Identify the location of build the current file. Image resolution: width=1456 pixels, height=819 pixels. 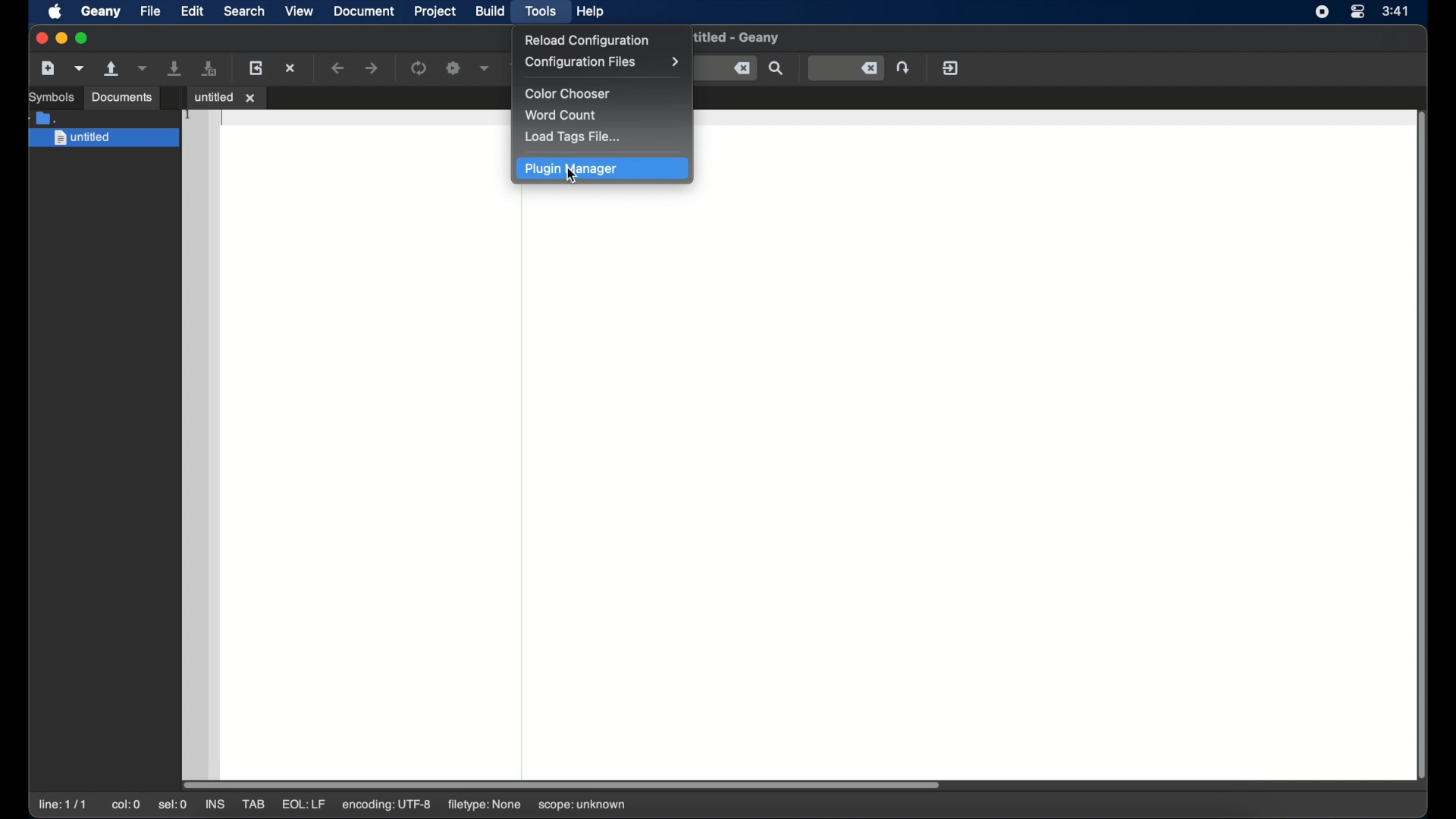
(453, 69).